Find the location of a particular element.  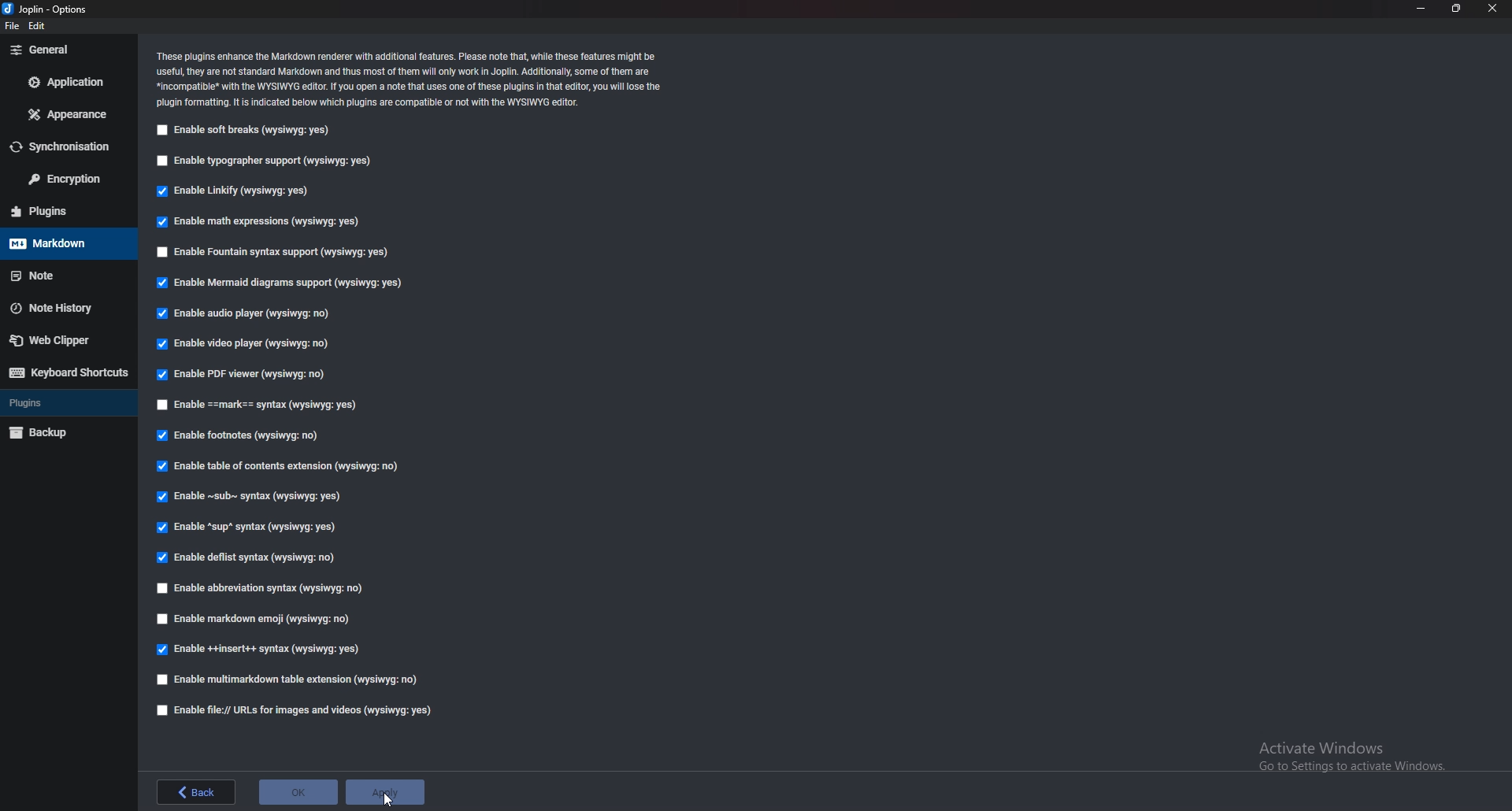

Back up is located at coordinates (65, 433).